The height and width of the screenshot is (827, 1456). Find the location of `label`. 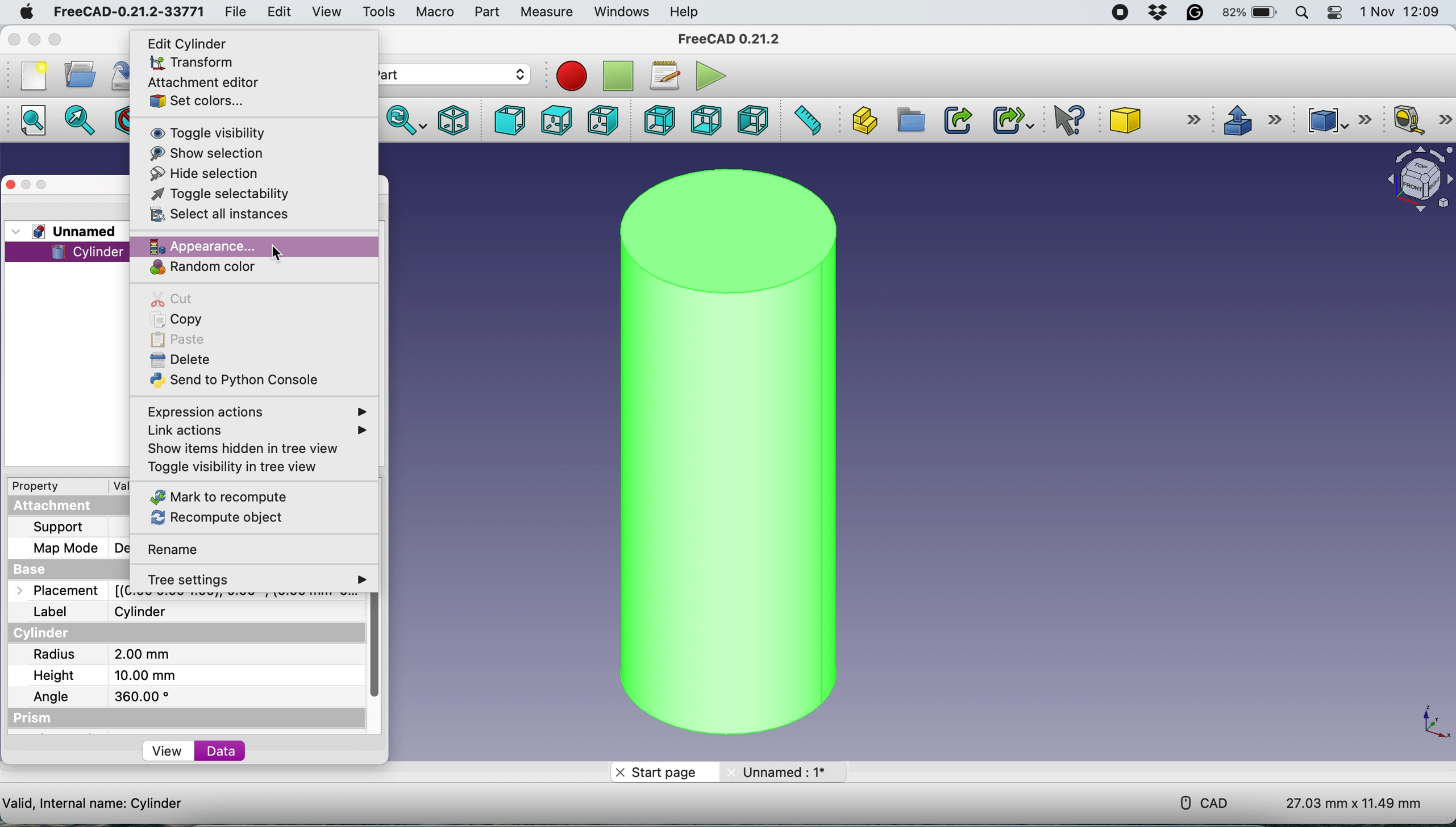

label is located at coordinates (101, 611).